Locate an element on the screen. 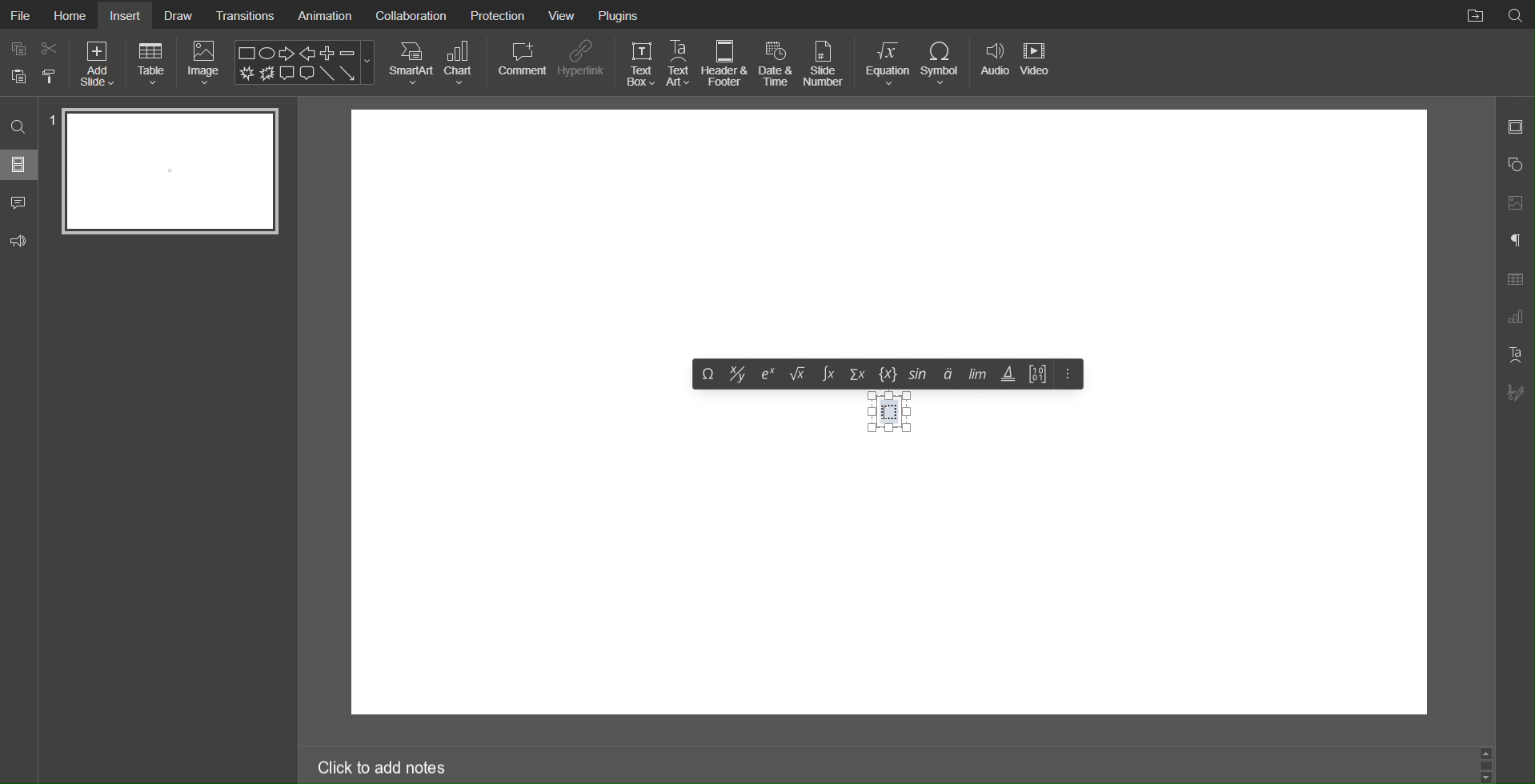 Image resolution: width=1535 pixels, height=784 pixels. Open File Location is located at coordinates (1473, 16).